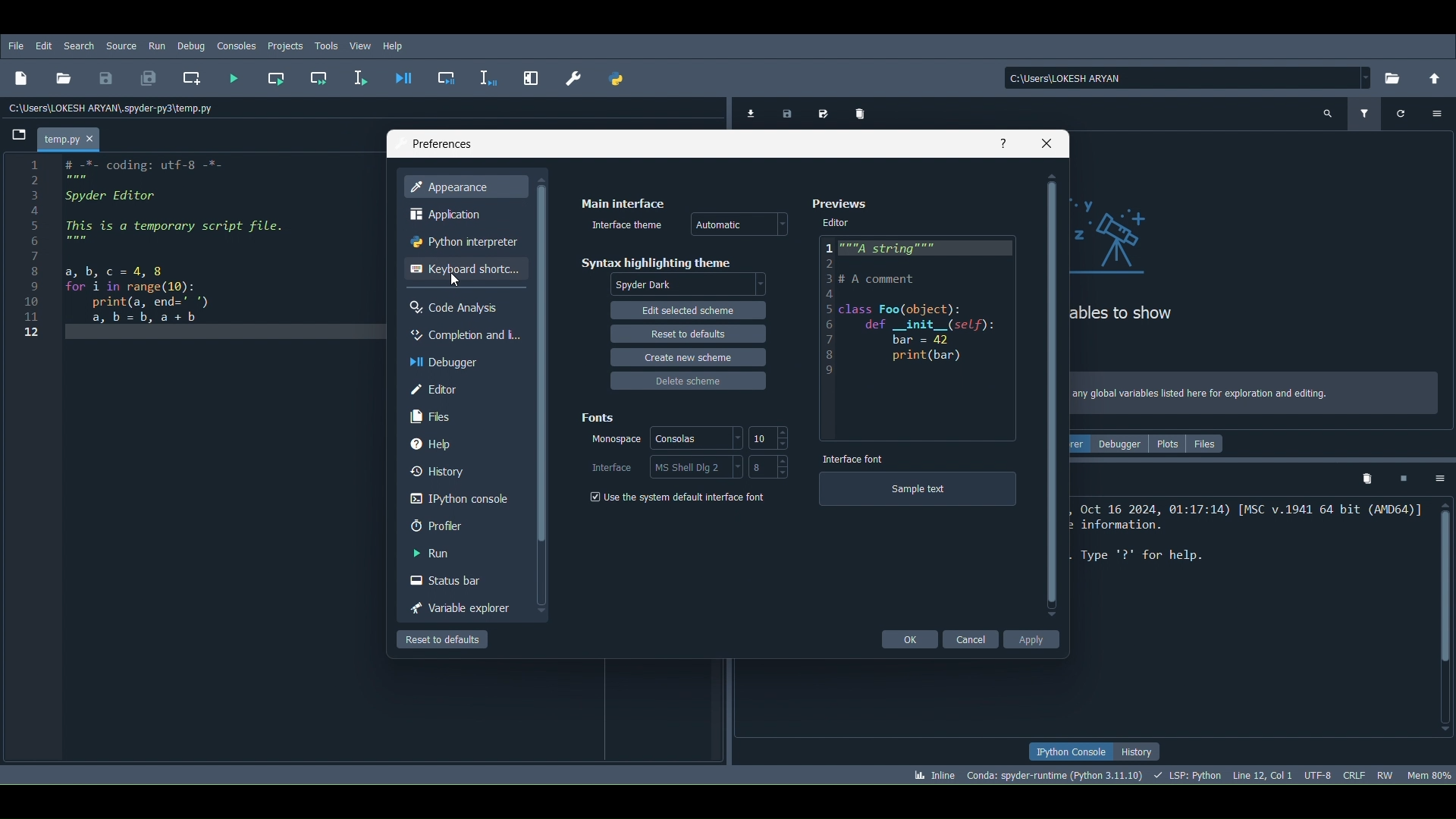  Describe the element at coordinates (541, 395) in the screenshot. I see `Scrollbar` at that location.